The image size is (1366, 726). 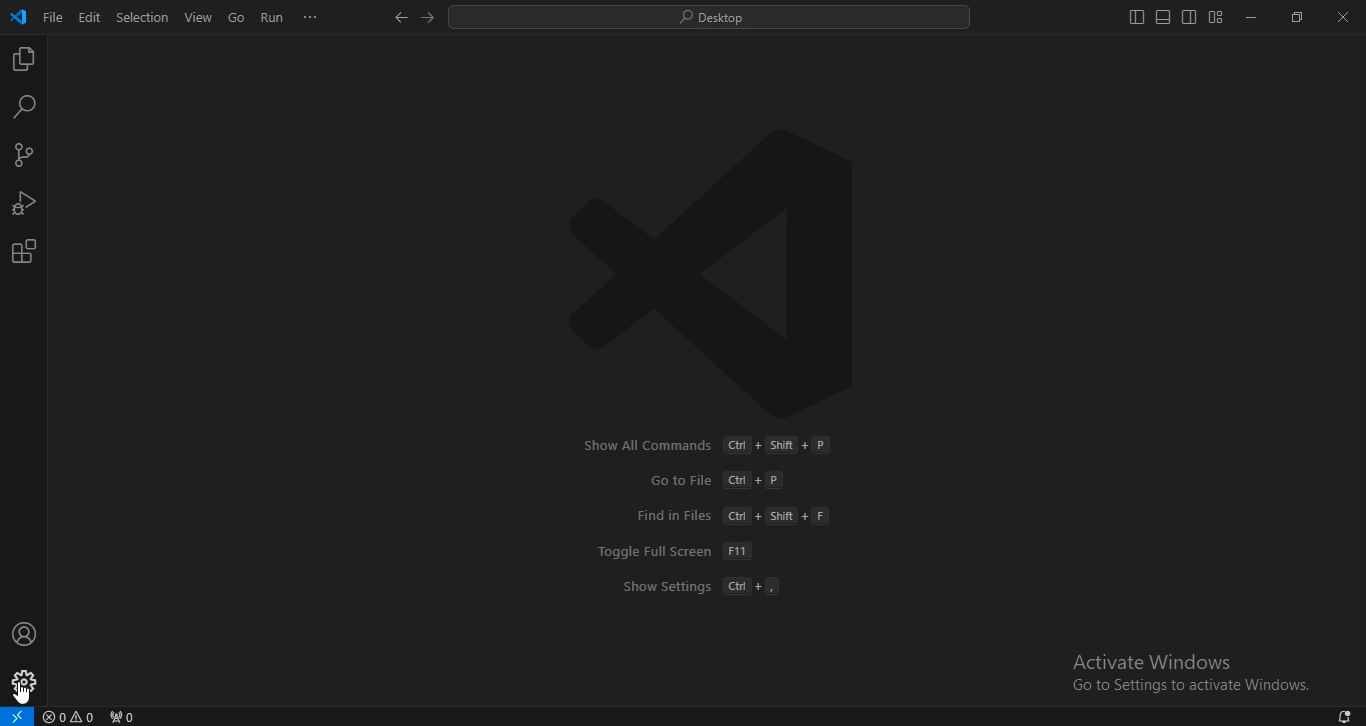 I want to click on selection, so click(x=144, y=16).